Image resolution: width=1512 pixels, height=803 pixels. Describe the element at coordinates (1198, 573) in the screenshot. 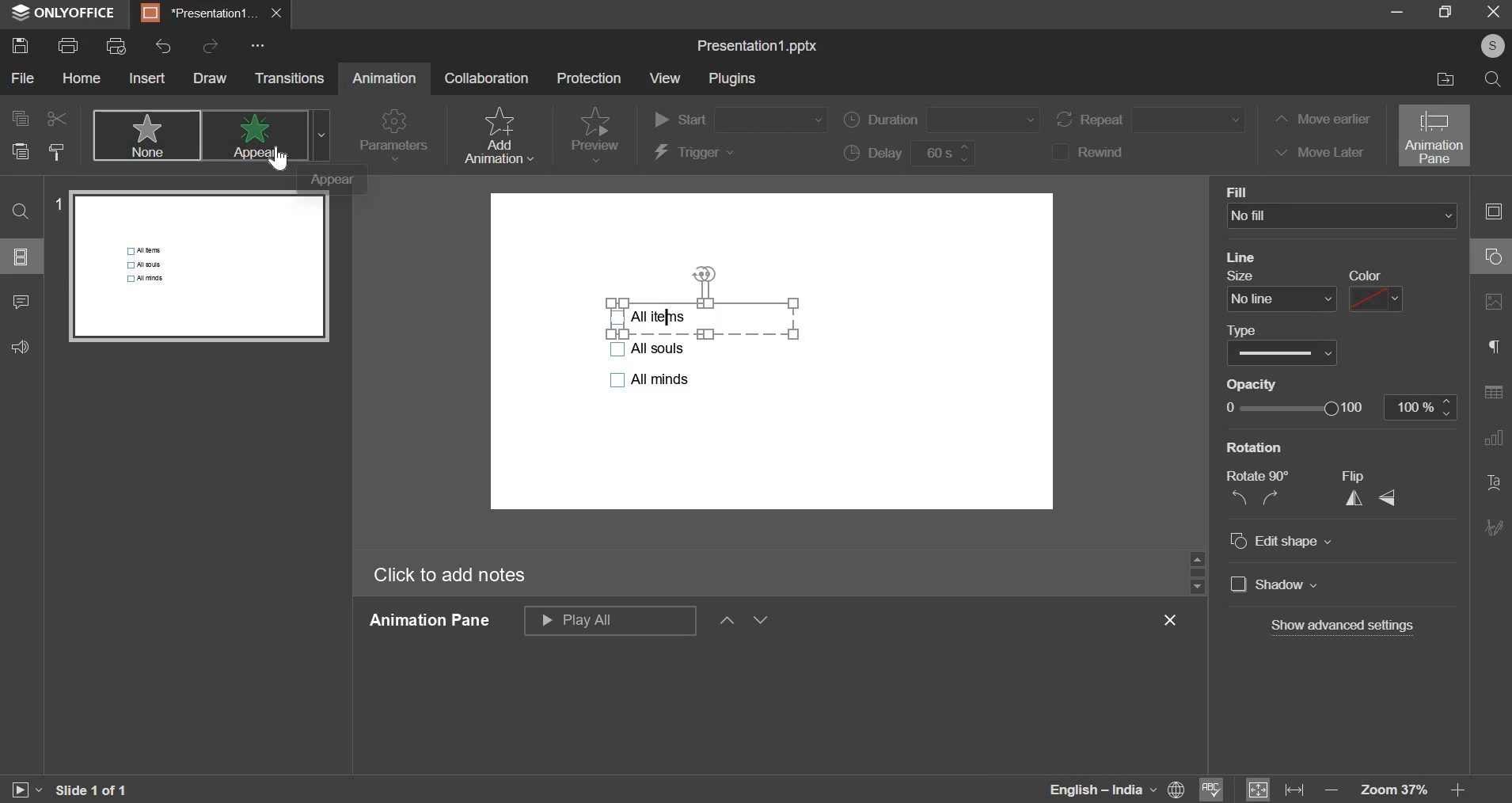

I see `vertical slider` at that location.